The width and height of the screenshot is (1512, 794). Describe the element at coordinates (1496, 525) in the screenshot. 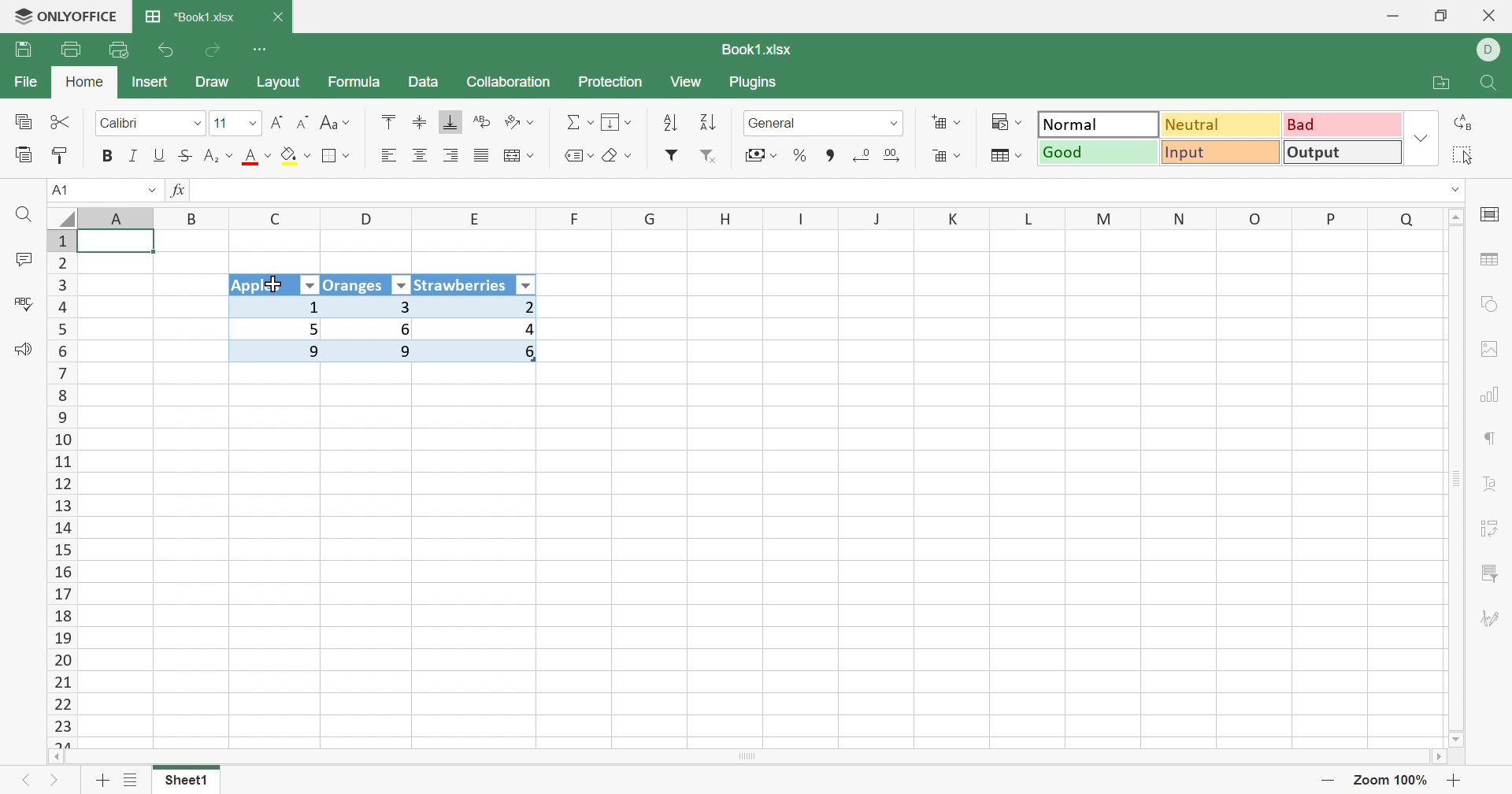

I see `Pivot table settings` at that location.